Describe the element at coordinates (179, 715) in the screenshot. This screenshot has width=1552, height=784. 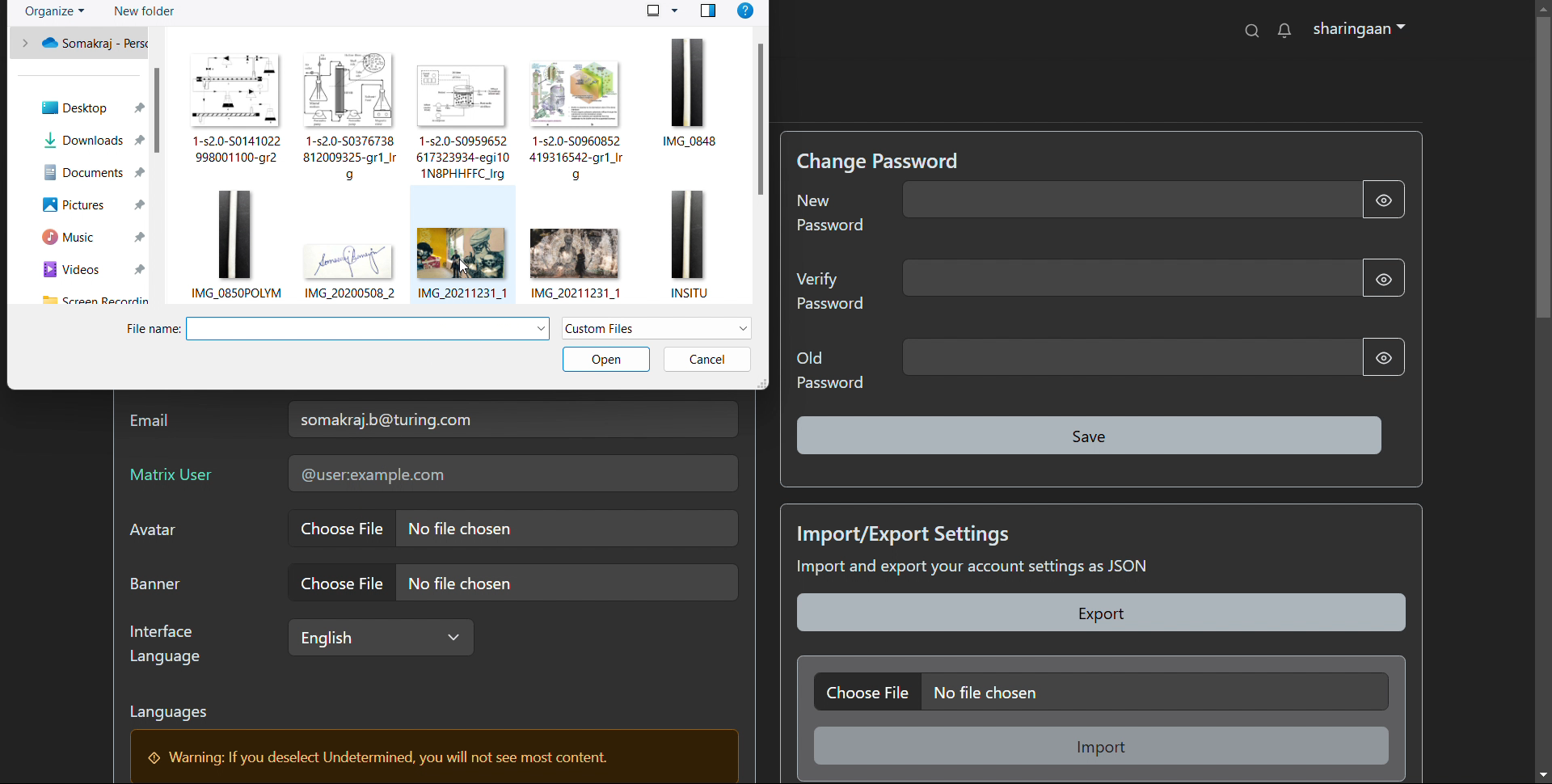
I see `Languages` at that location.